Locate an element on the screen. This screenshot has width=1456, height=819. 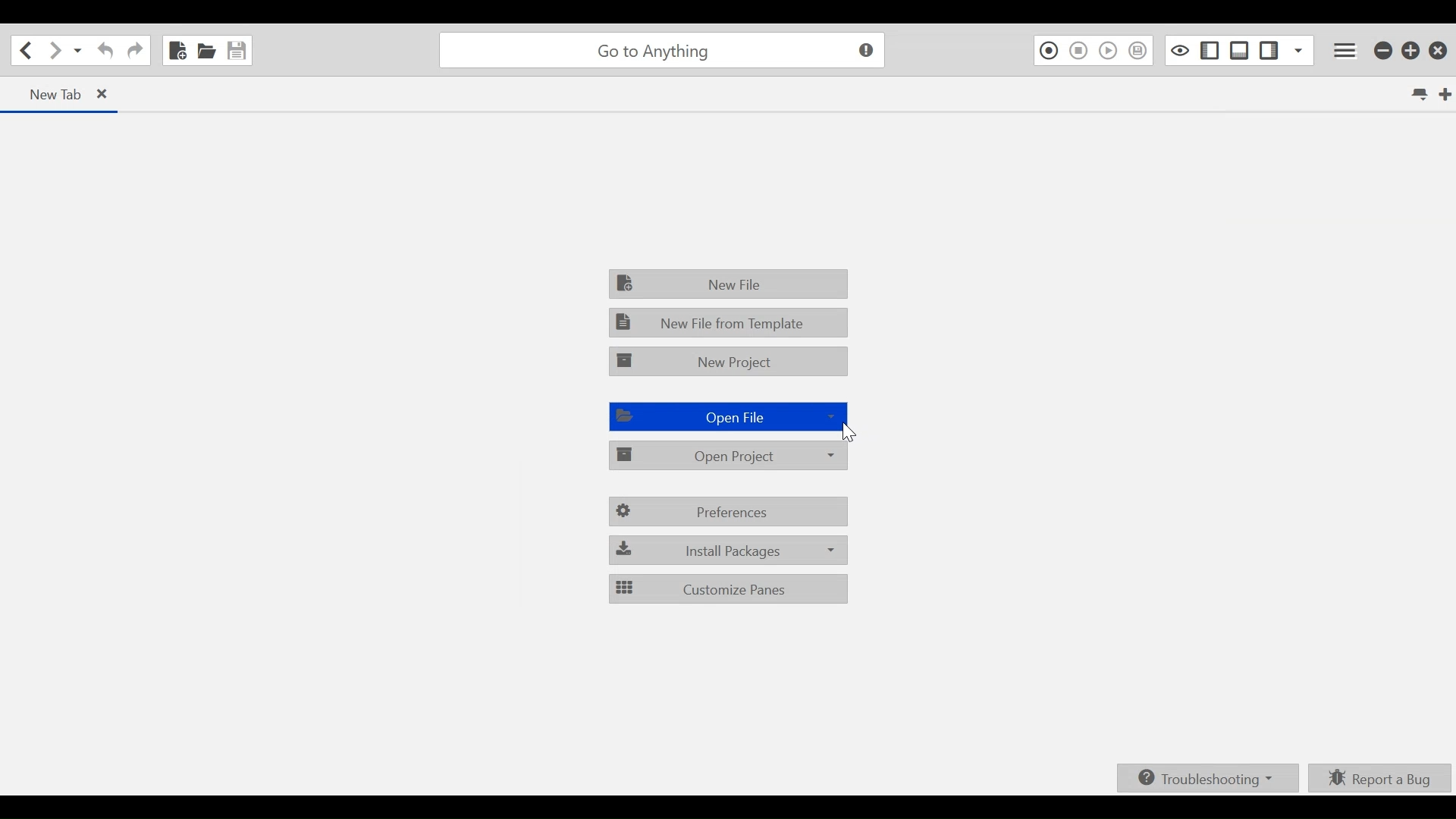
Show/Hide Left Panel is located at coordinates (1270, 48).